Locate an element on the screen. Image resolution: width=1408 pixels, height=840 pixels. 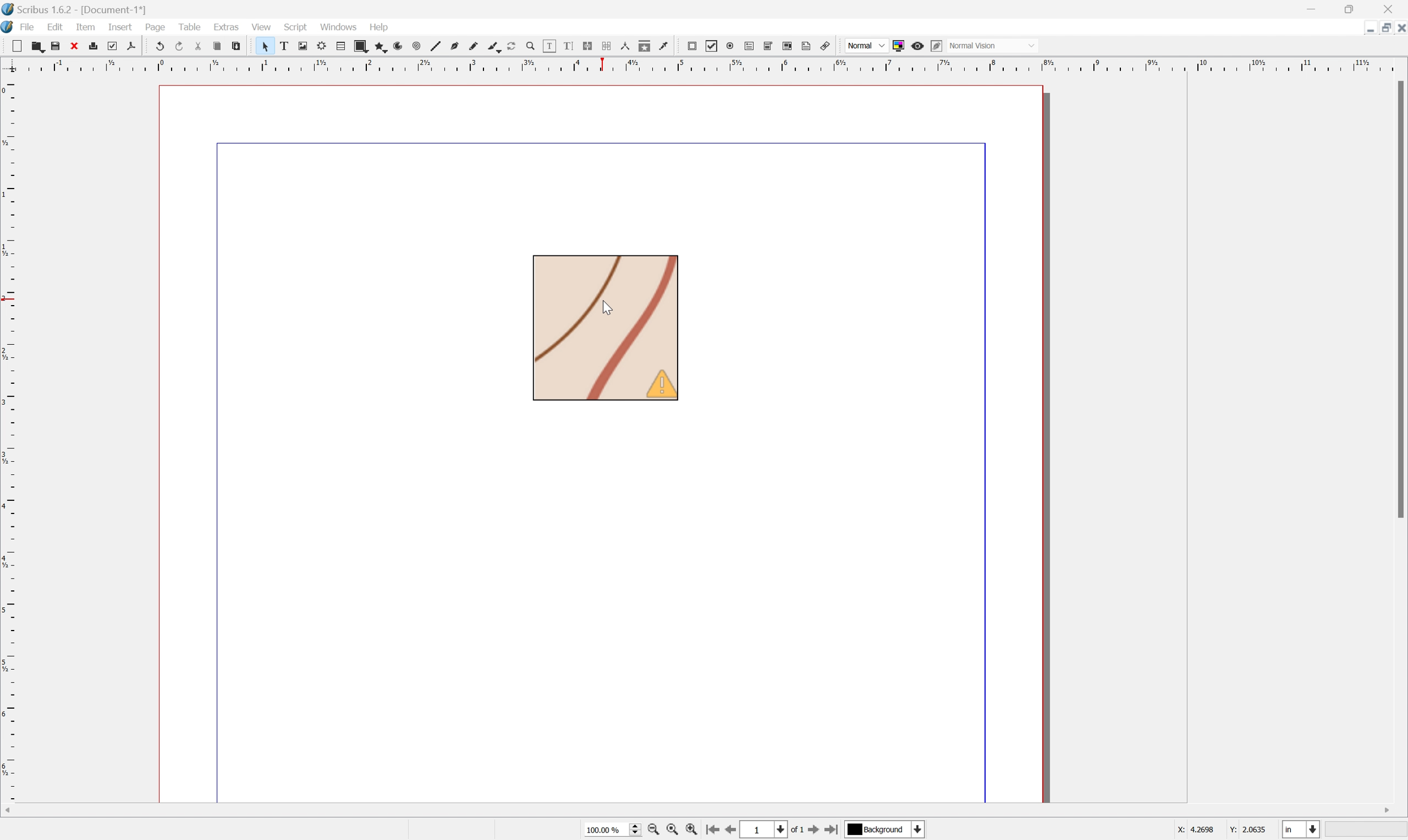
Go to the previous page is located at coordinates (735, 830).